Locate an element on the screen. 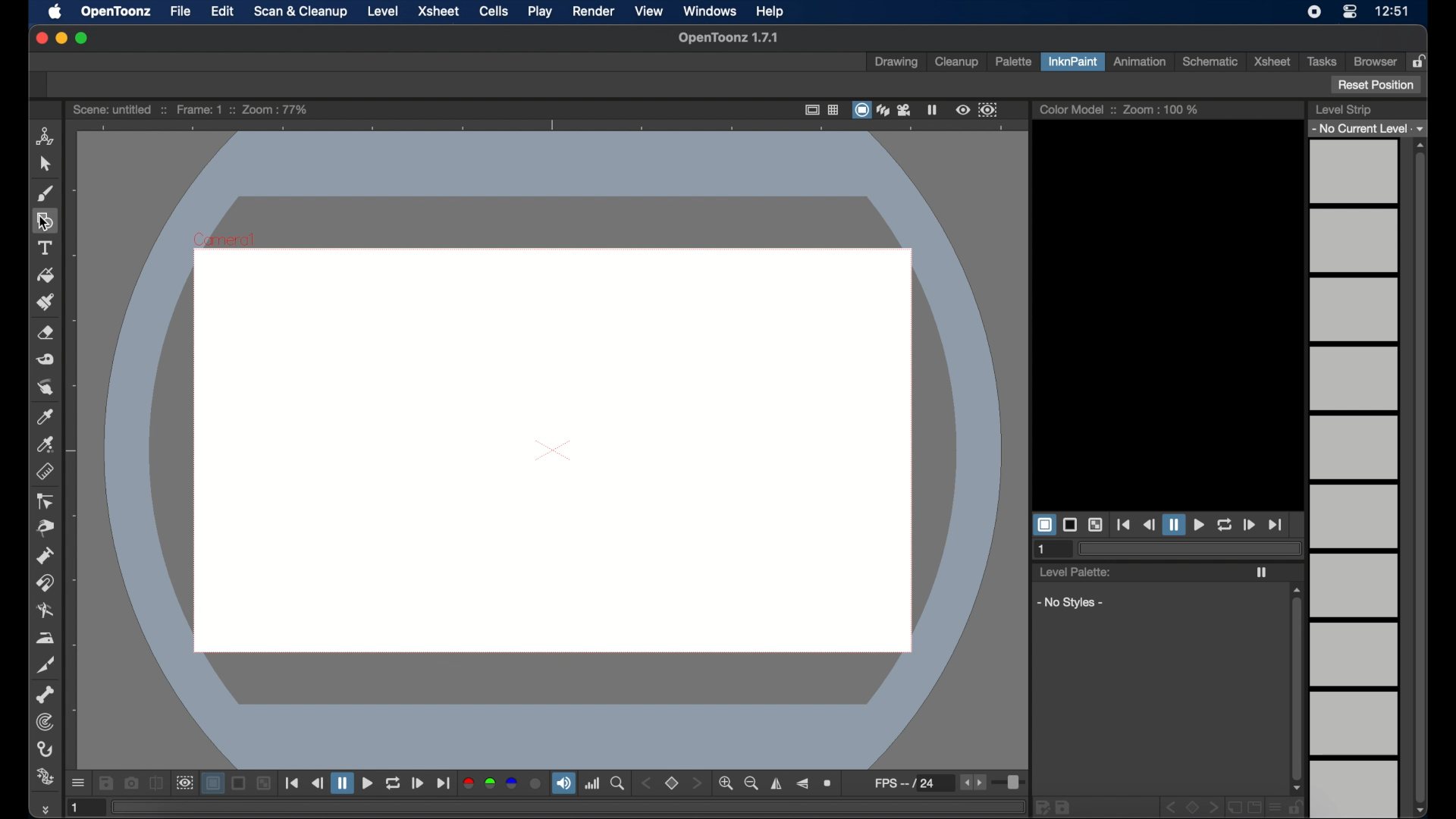  zoom out is located at coordinates (752, 783).